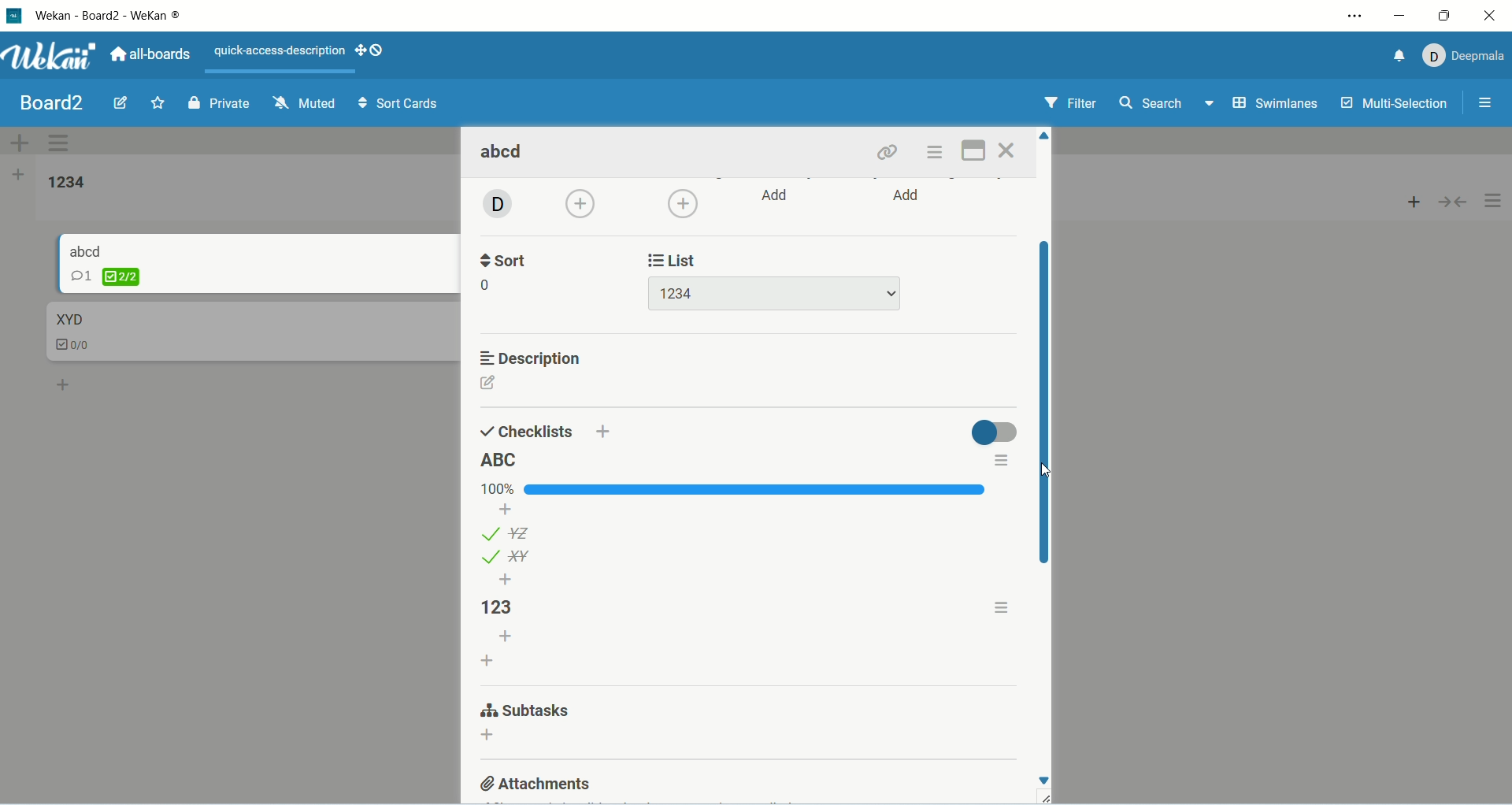 The width and height of the screenshot is (1512, 805). Describe the element at coordinates (1410, 205) in the screenshot. I see `add` at that location.